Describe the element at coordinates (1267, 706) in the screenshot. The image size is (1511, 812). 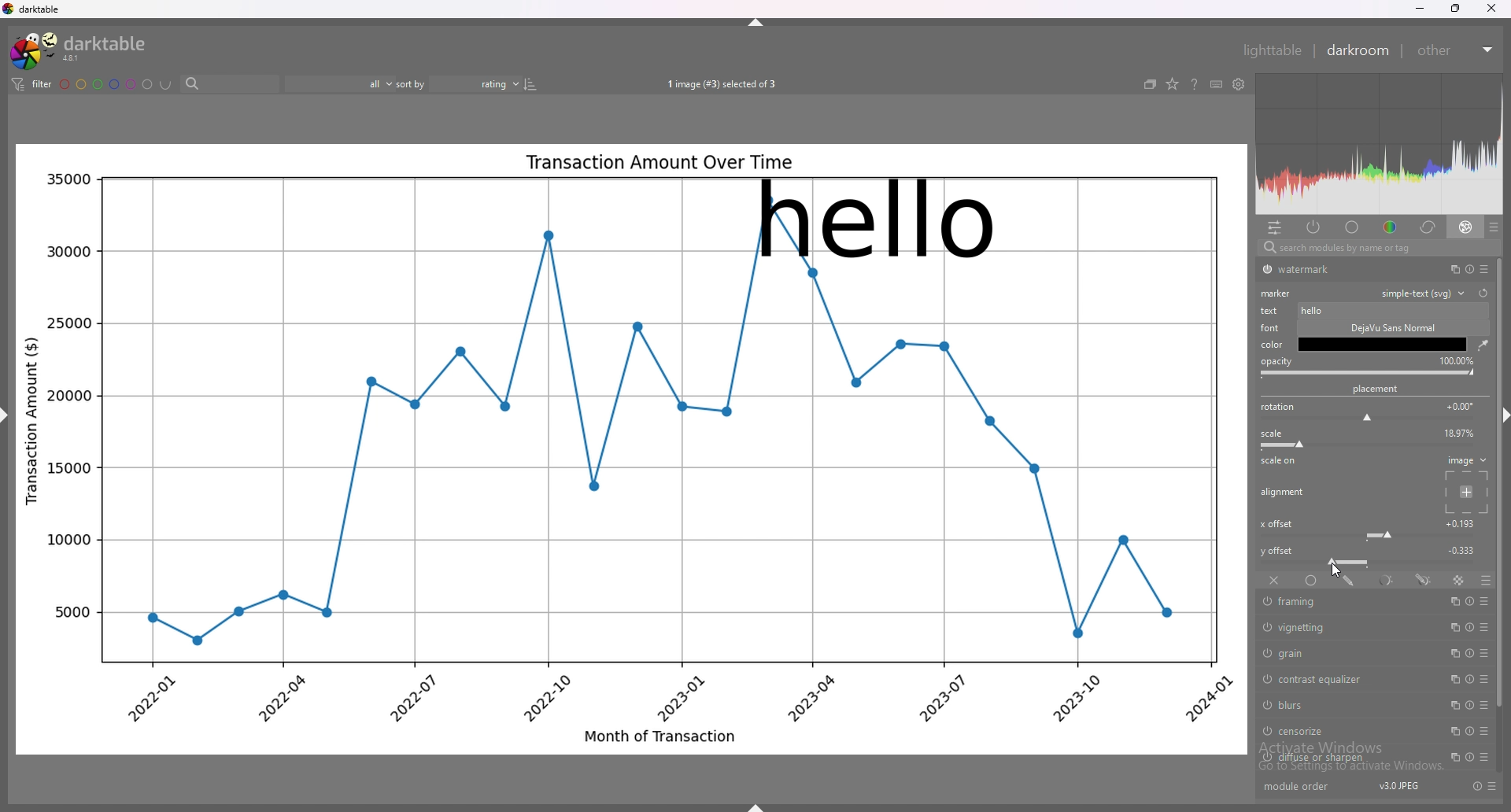
I see `switch off` at that location.